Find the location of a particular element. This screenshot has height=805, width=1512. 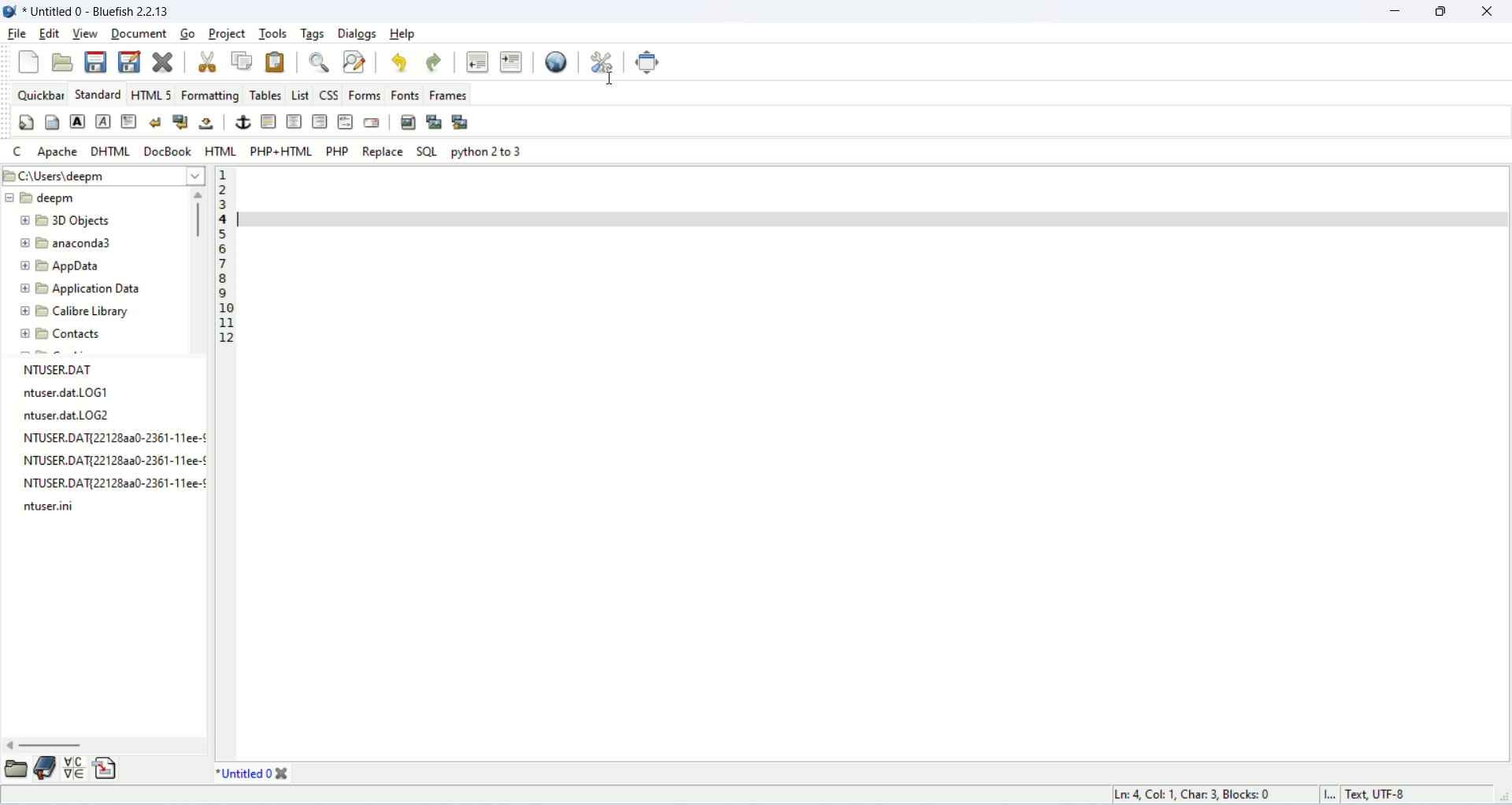

quickbar is located at coordinates (42, 94).